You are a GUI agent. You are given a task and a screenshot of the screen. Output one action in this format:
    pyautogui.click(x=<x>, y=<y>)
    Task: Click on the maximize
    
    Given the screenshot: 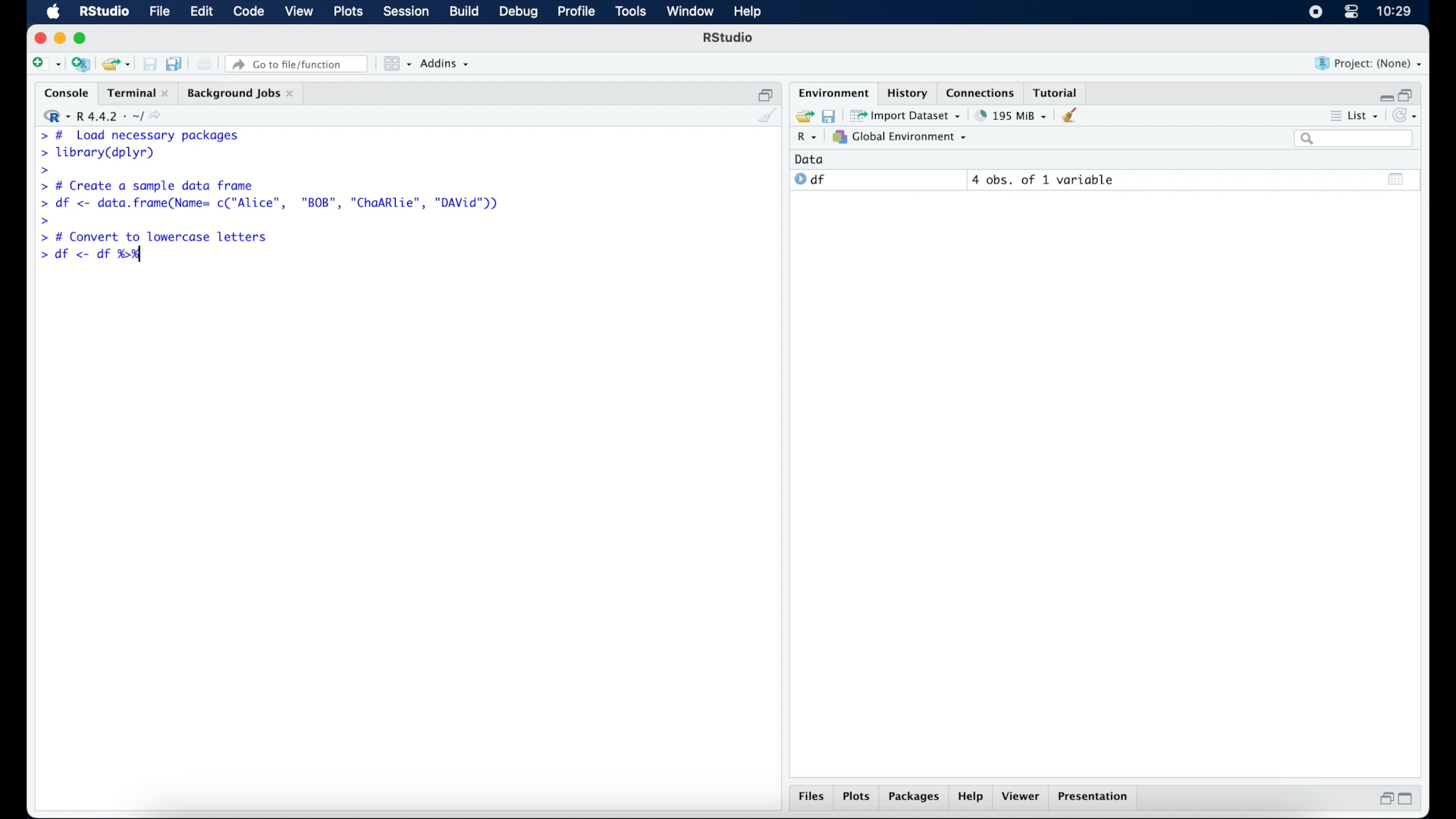 What is the action you would take?
    pyautogui.click(x=83, y=38)
    